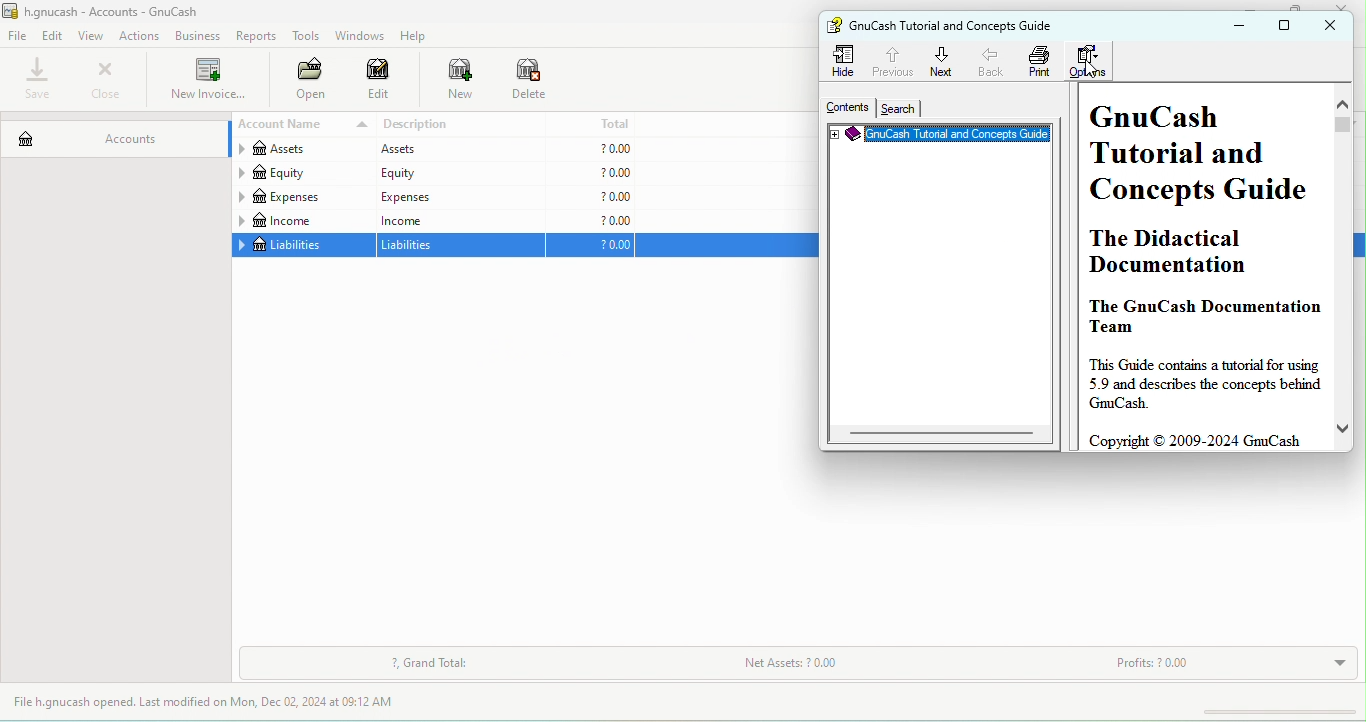 The height and width of the screenshot is (722, 1366). I want to click on minimize, so click(1255, 5).